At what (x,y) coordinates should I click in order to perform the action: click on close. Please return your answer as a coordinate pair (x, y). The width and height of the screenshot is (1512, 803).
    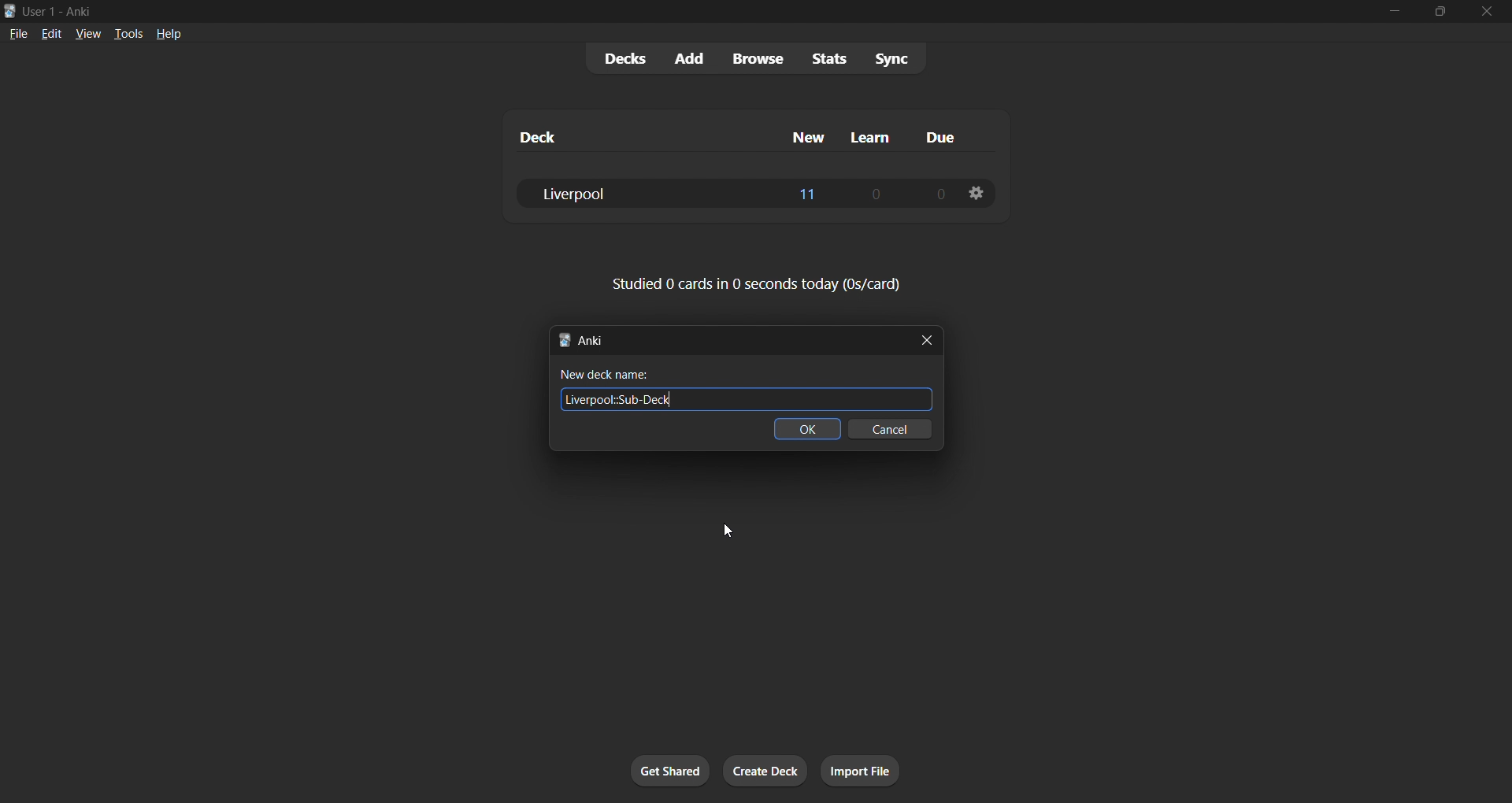
    Looking at the image, I should click on (1489, 12).